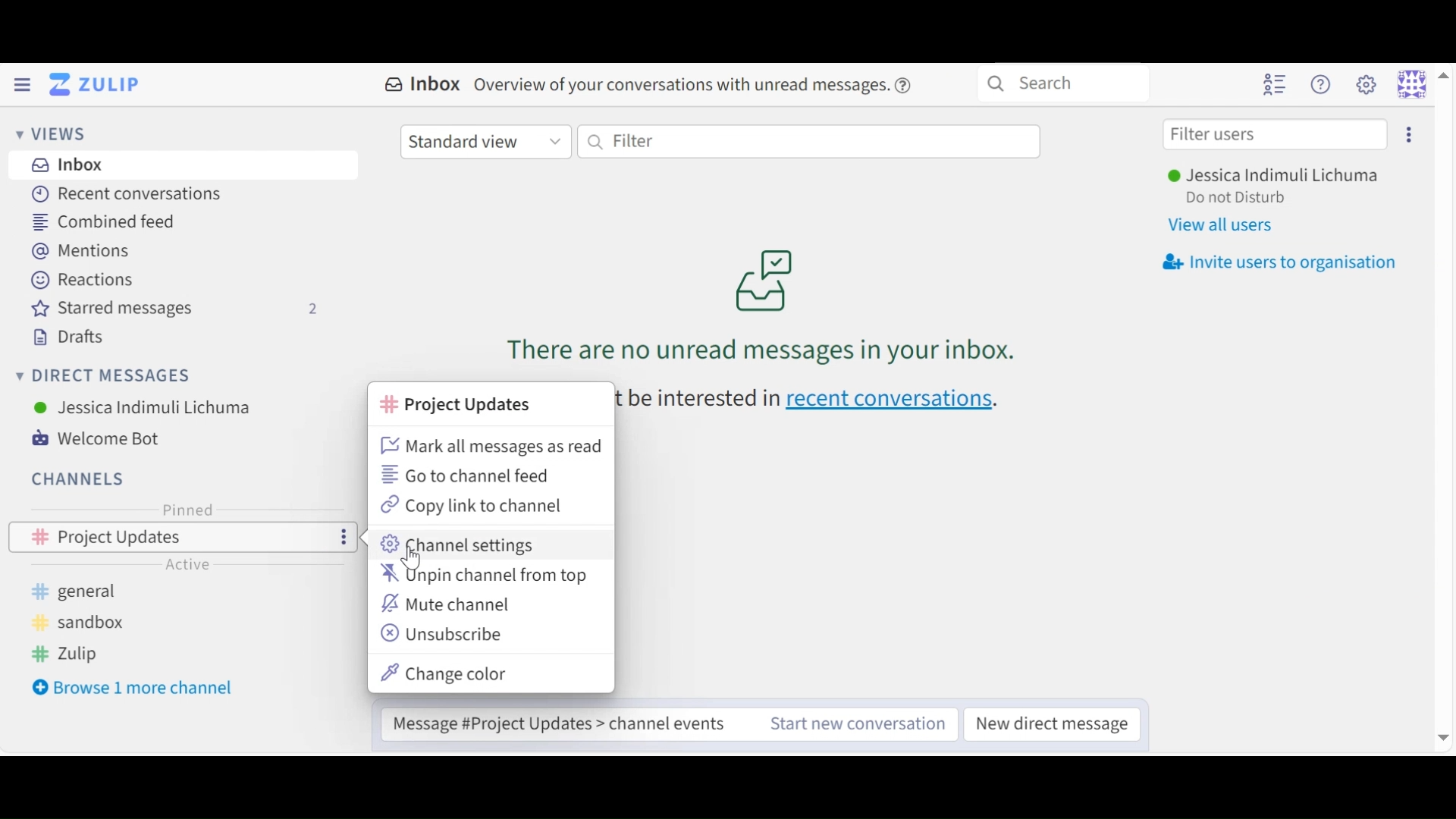 Image resolution: width=1456 pixels, height=819 pixels. Describe the element at coordinates (185, 511) in the screenshot. I see `Pinned` at that location.